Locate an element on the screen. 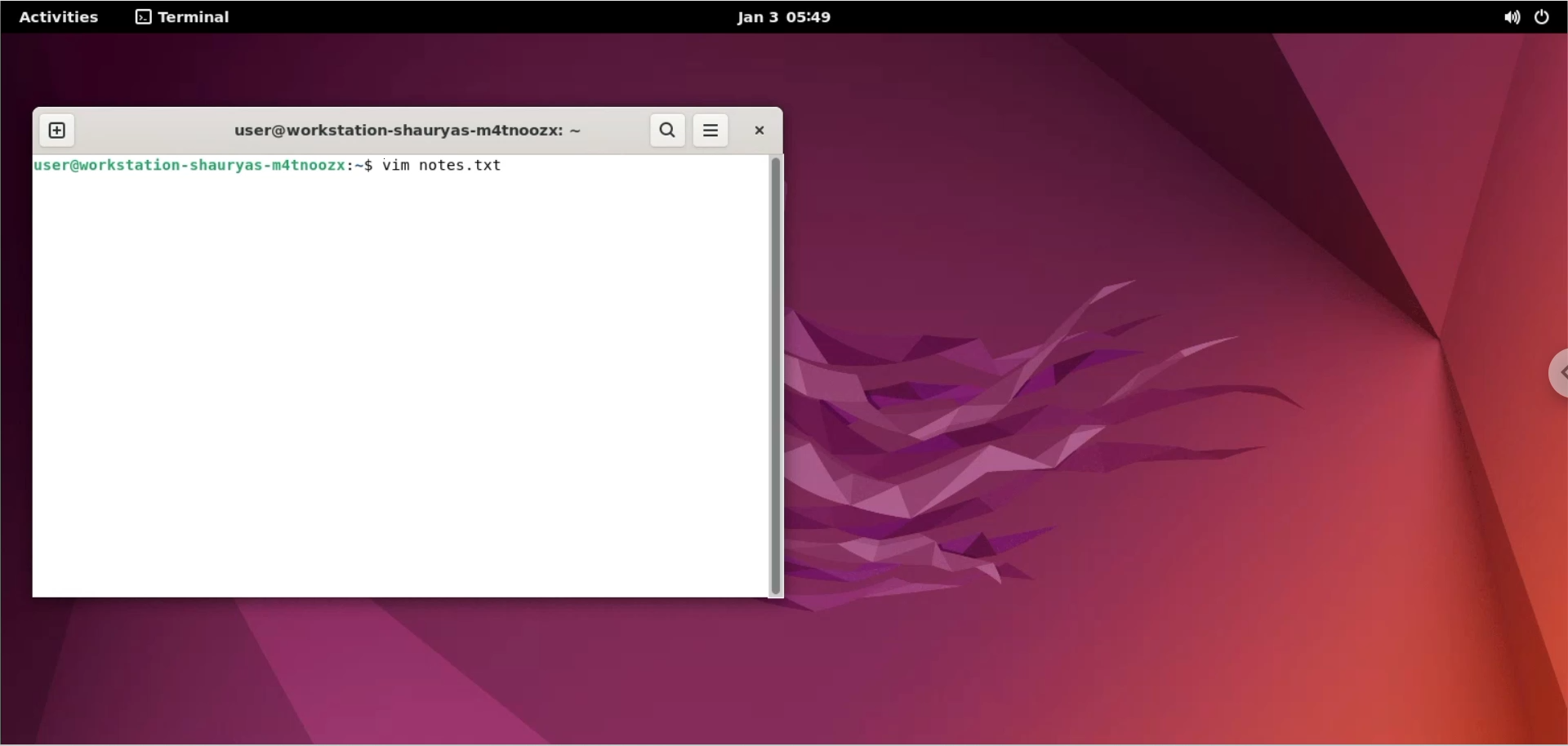 The height and width of the screenshot is (746, 1568). cursor is located at coordinates (518, 166).